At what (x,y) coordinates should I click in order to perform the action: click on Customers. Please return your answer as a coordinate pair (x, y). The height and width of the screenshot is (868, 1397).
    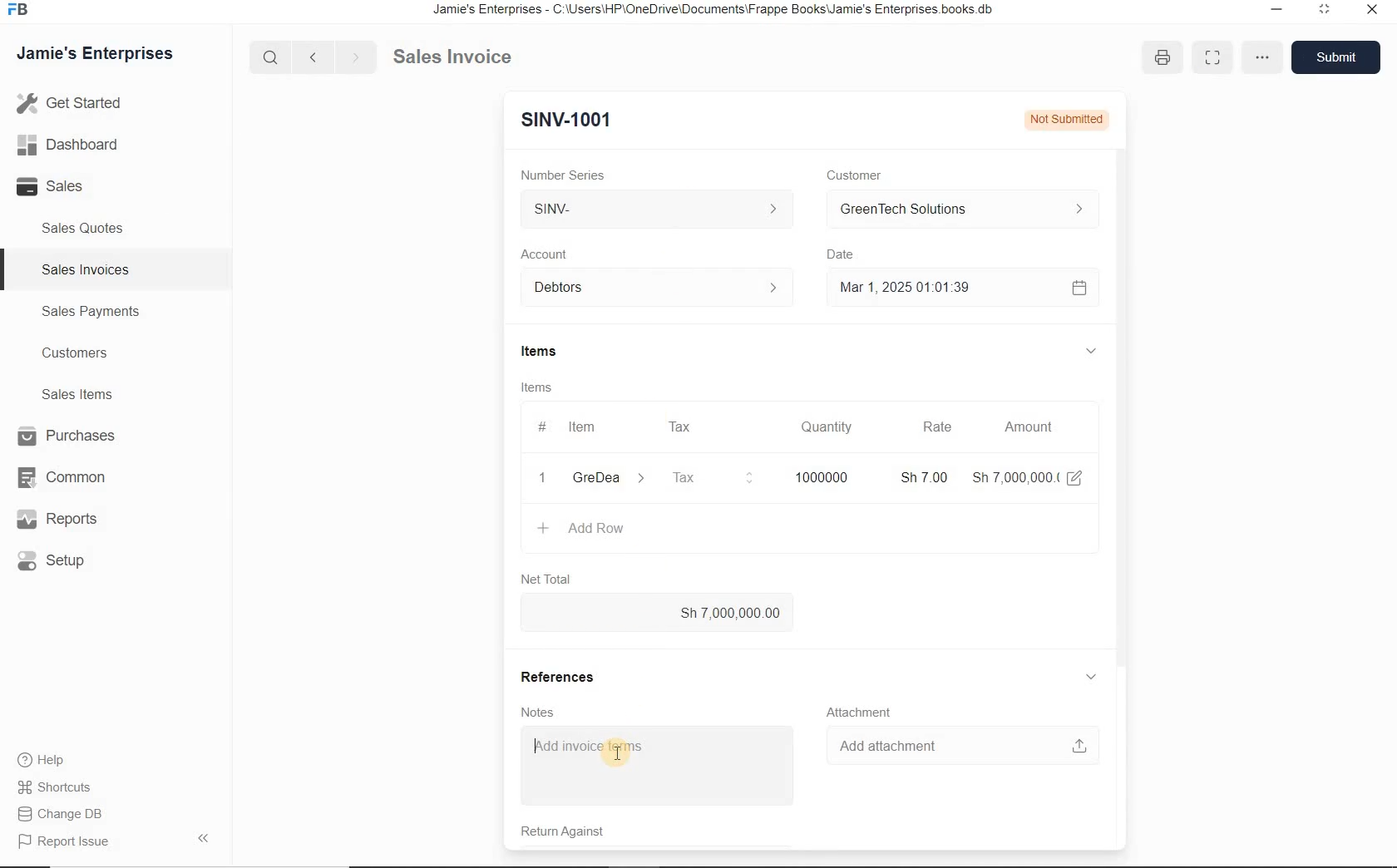
    Looking at the image, I should click on (72, 353).